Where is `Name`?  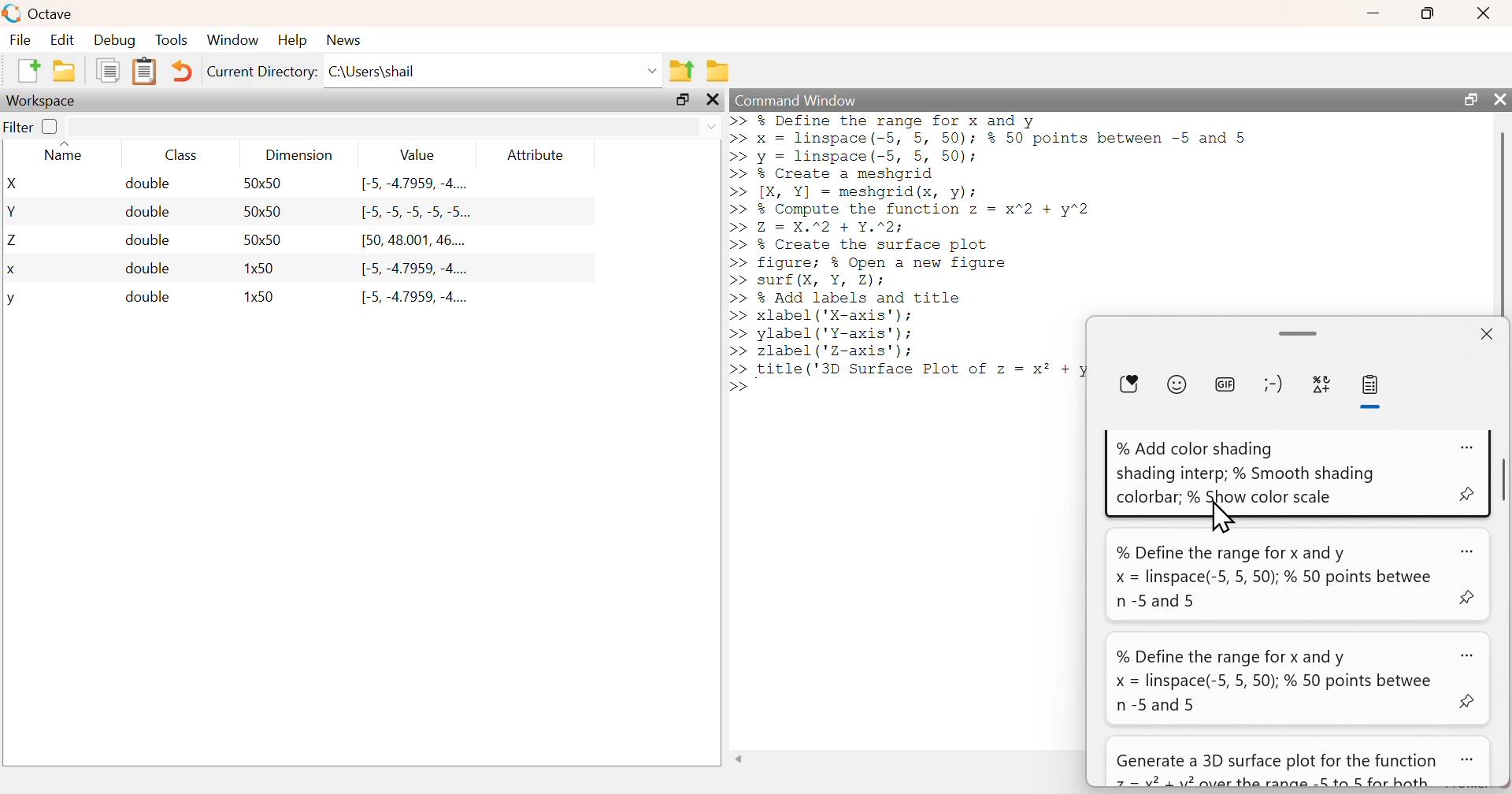
Name is located at coordinates (68, 152).